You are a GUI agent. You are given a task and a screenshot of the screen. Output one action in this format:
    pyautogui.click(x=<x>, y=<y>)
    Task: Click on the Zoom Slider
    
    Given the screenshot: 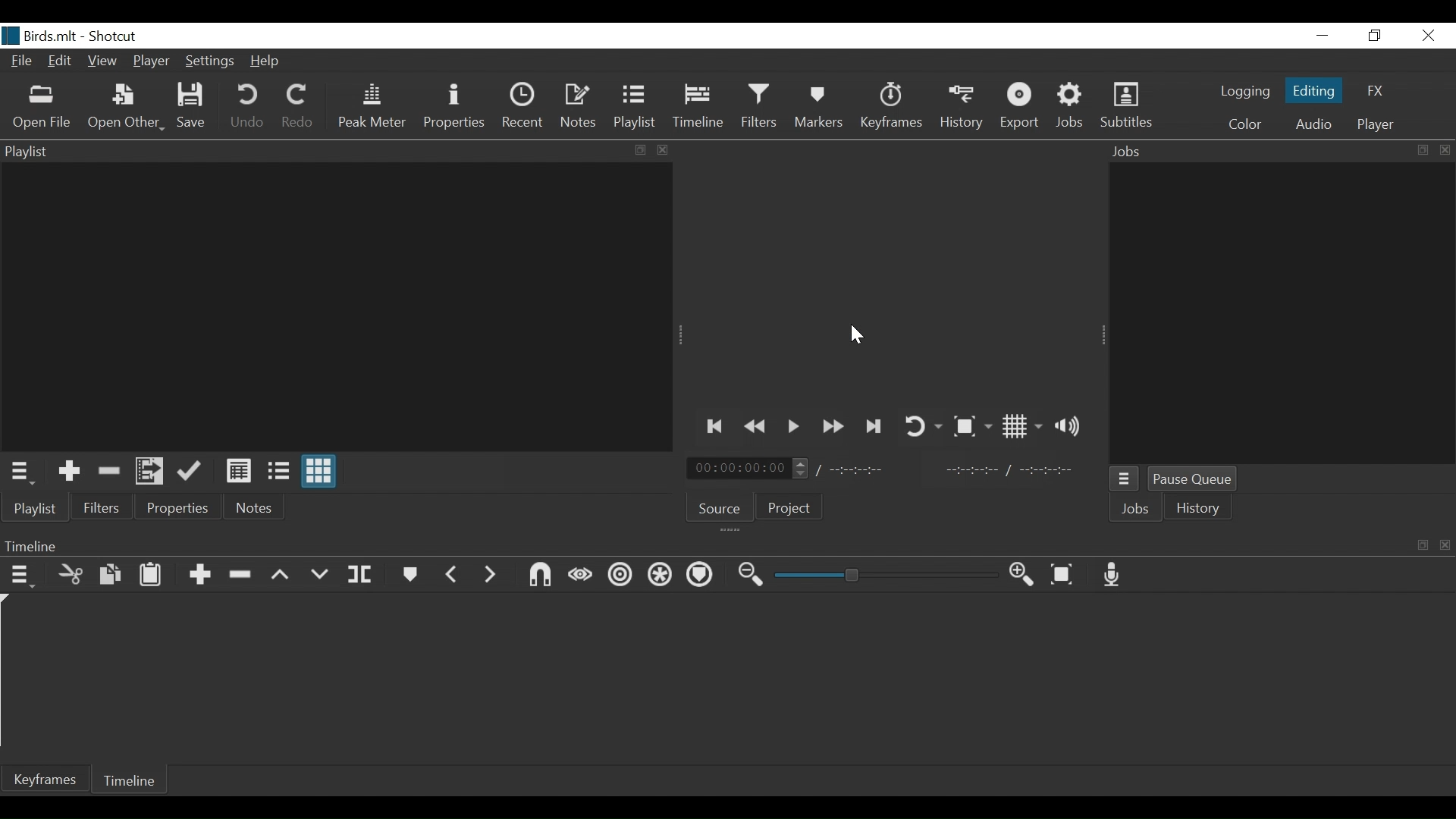 What is the action you would take?
    pyautogui.click(x=886, y=576)
    